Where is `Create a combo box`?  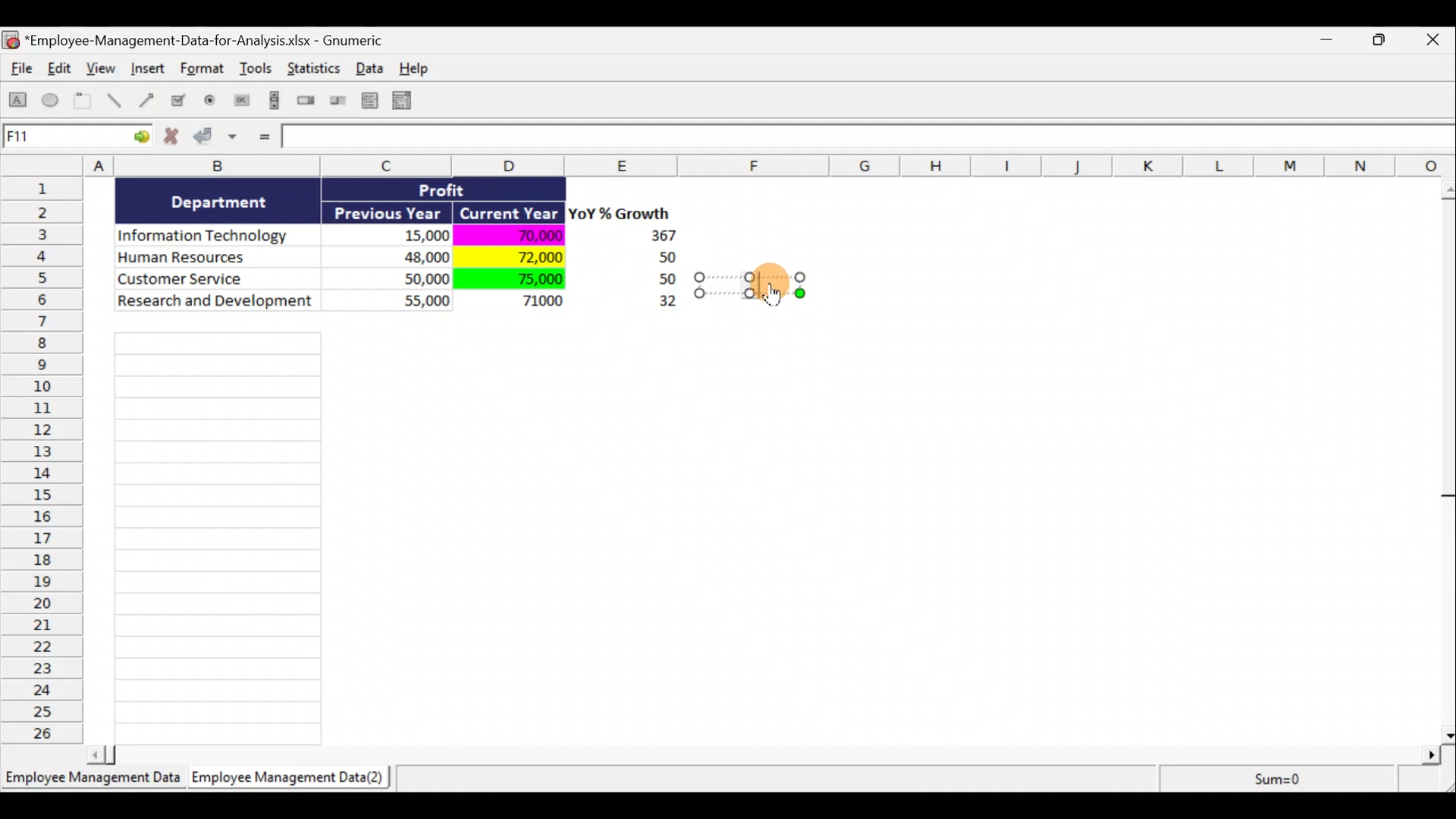 Create a combo box is located at coordinates (409, 101).